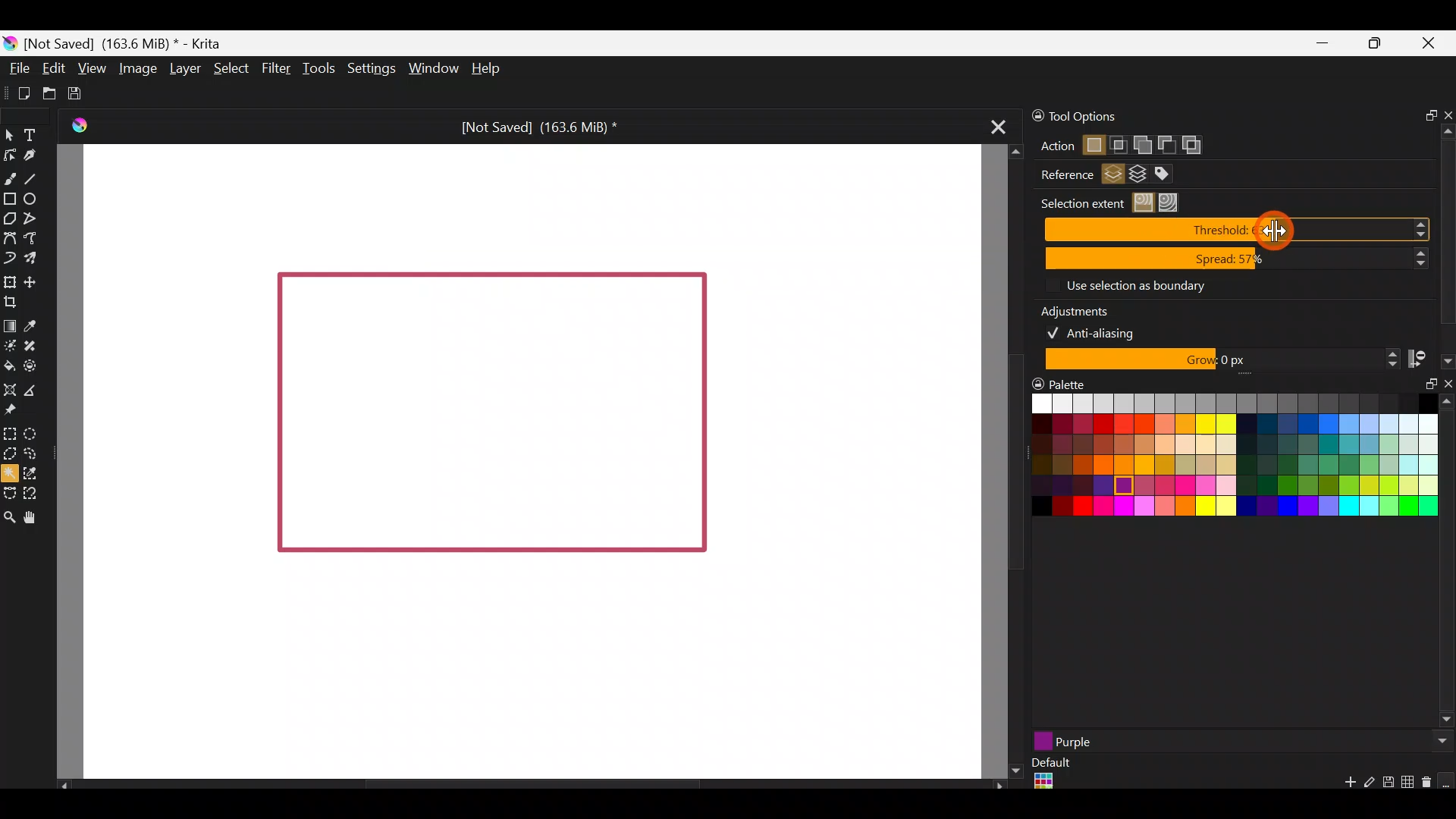 The height and width of the screenshot is (819, 1456). I want to click on Help, so click(489, 70).